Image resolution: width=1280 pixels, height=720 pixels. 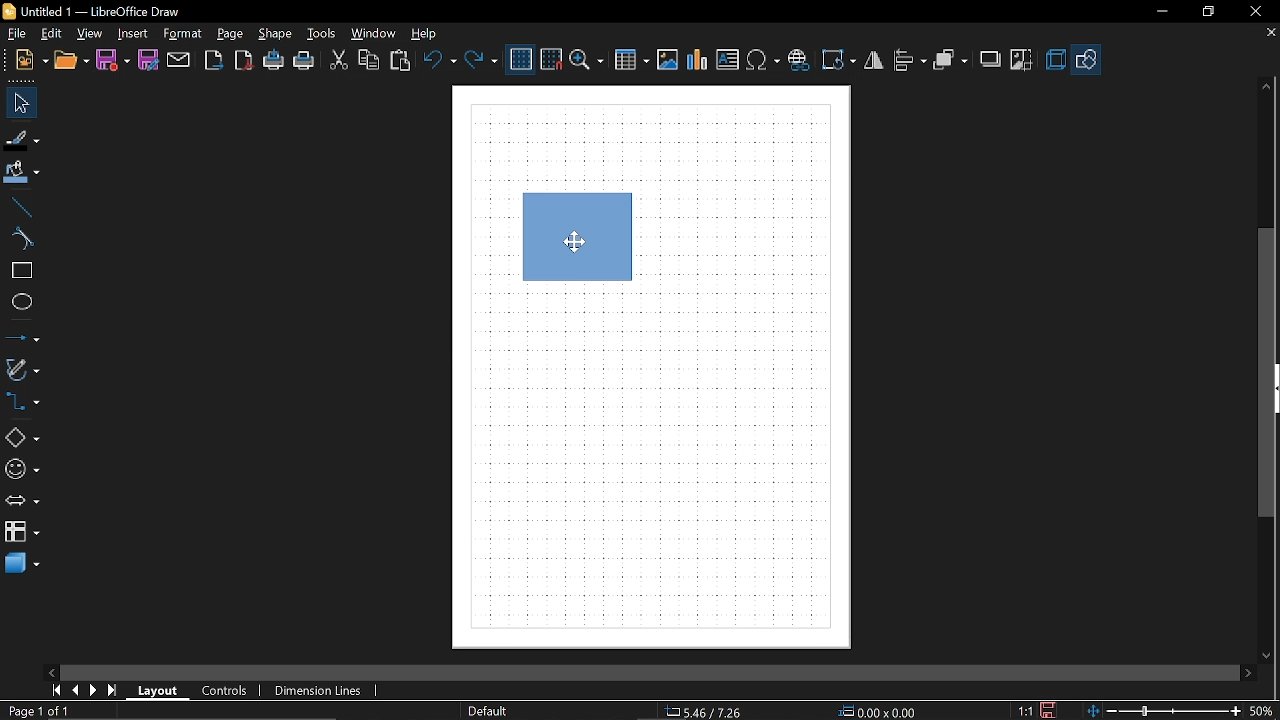 I want to click on Crop, so click(x=1022, y=61).